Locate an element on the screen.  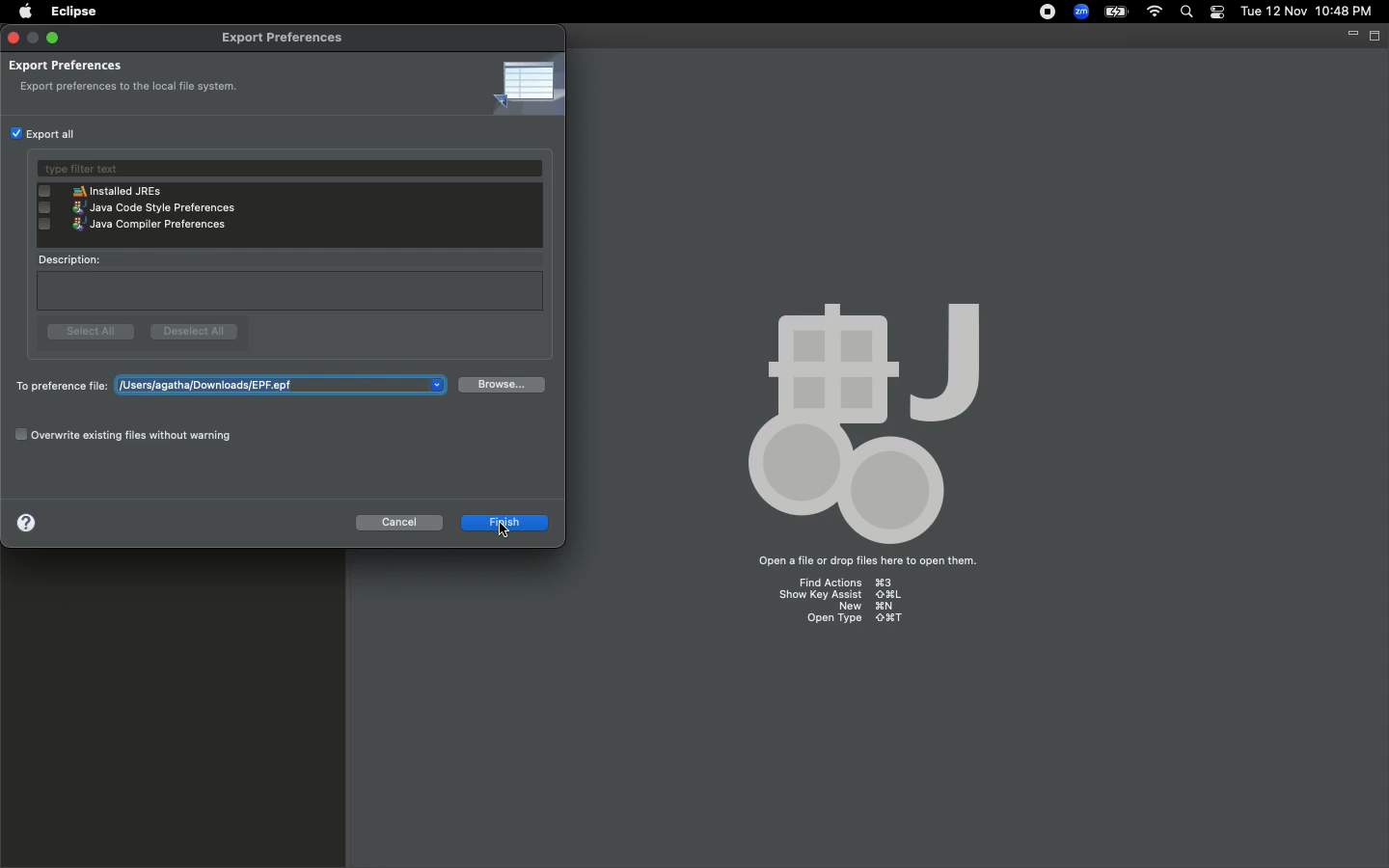
minimize is located at coordinates (33, 40).